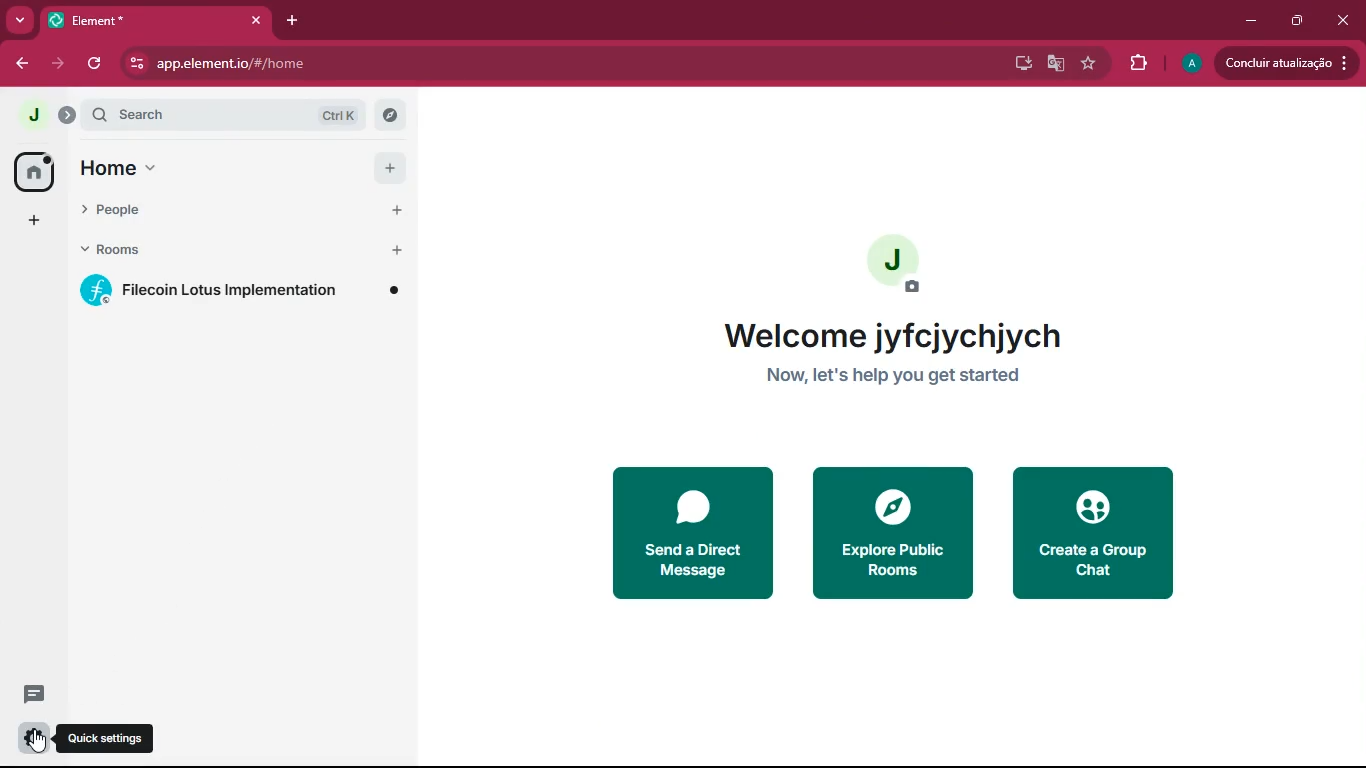  I want to click on Now, let's help you get started, so click(893, 375).